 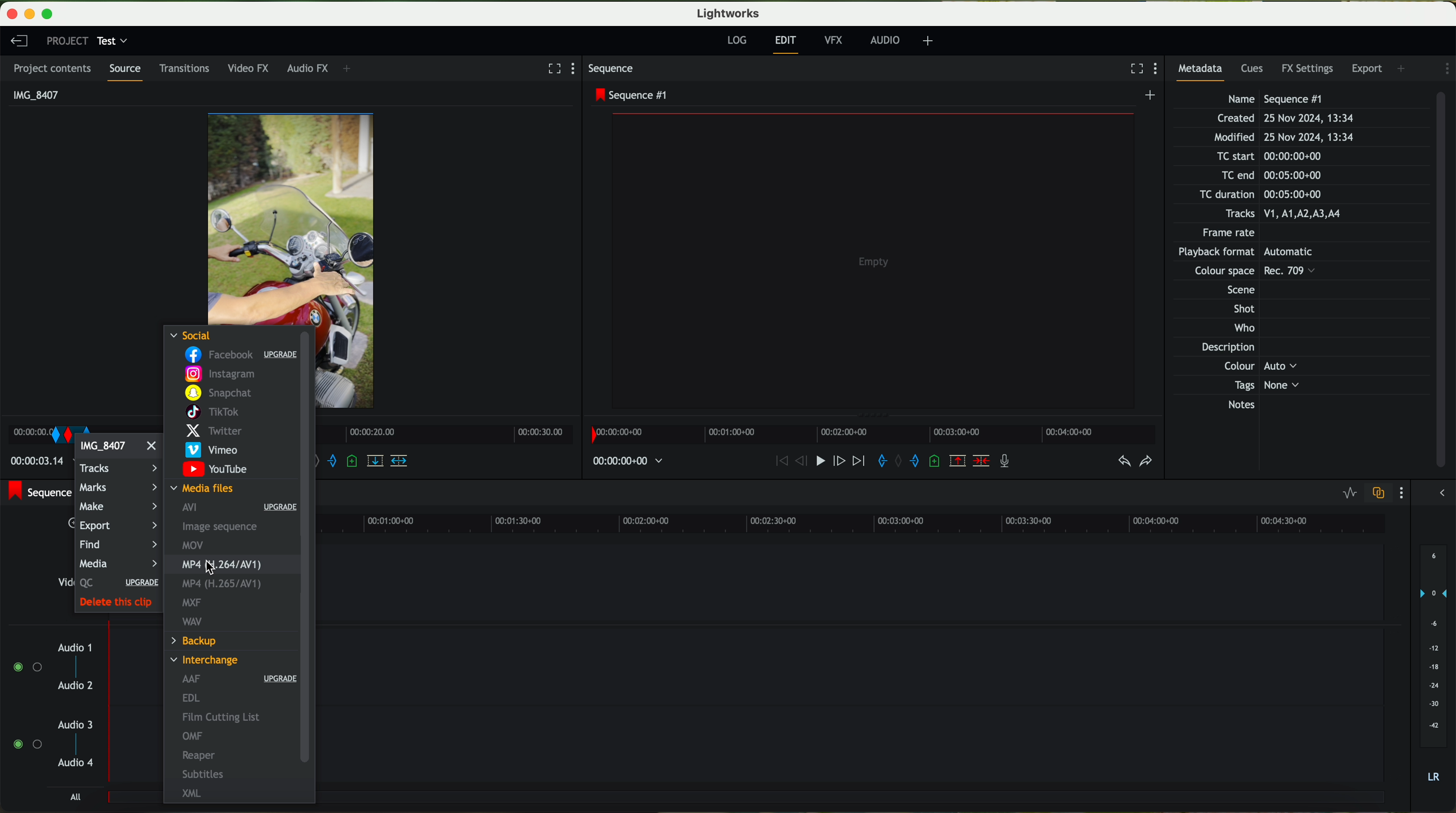 What do you see at coordinates (353, 462) in the screenshot?
I see `add a cue at the current position` at bounding box center [353, 462].